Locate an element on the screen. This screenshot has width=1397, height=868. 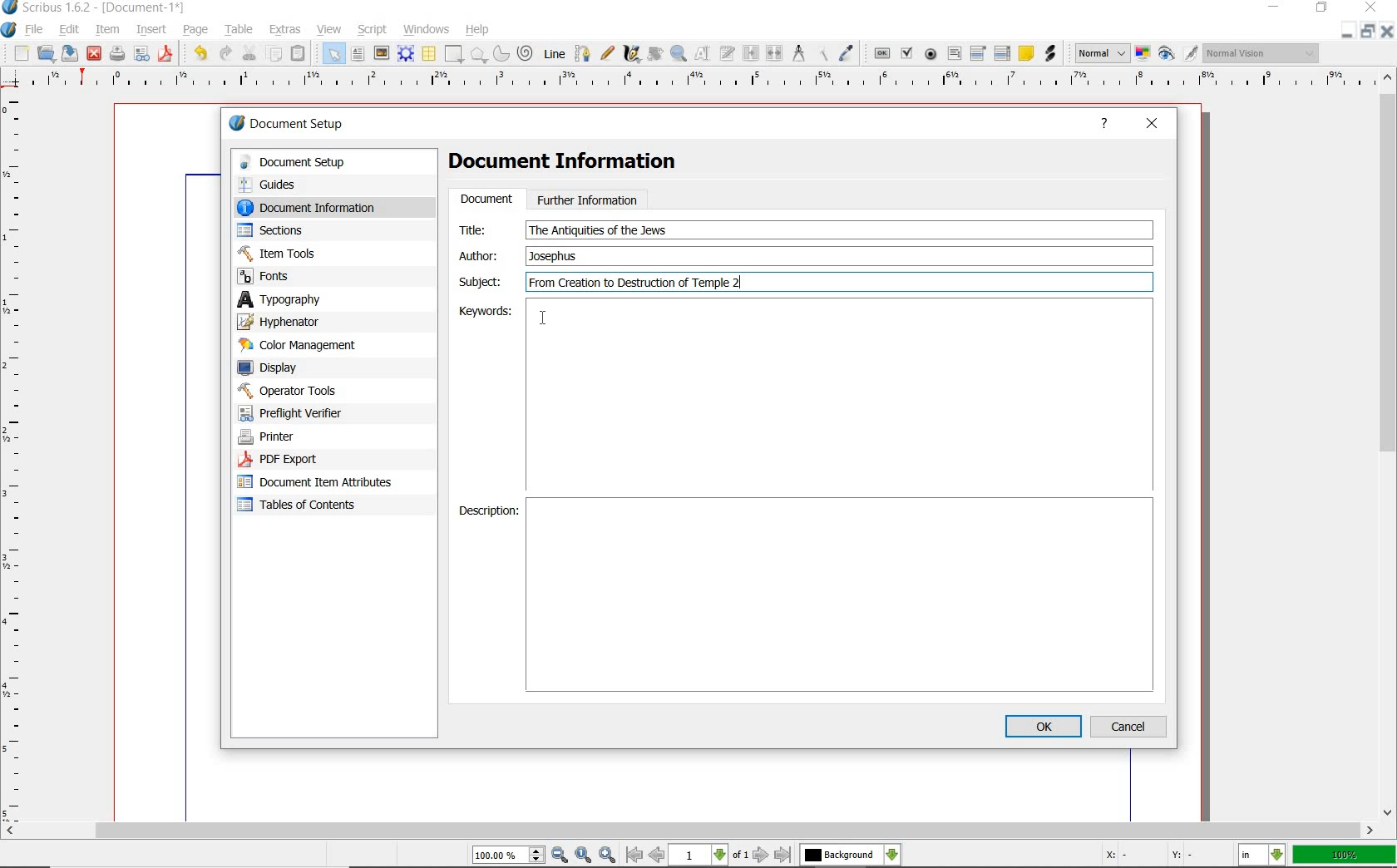
Keywords is located at coordinates (839, 396).